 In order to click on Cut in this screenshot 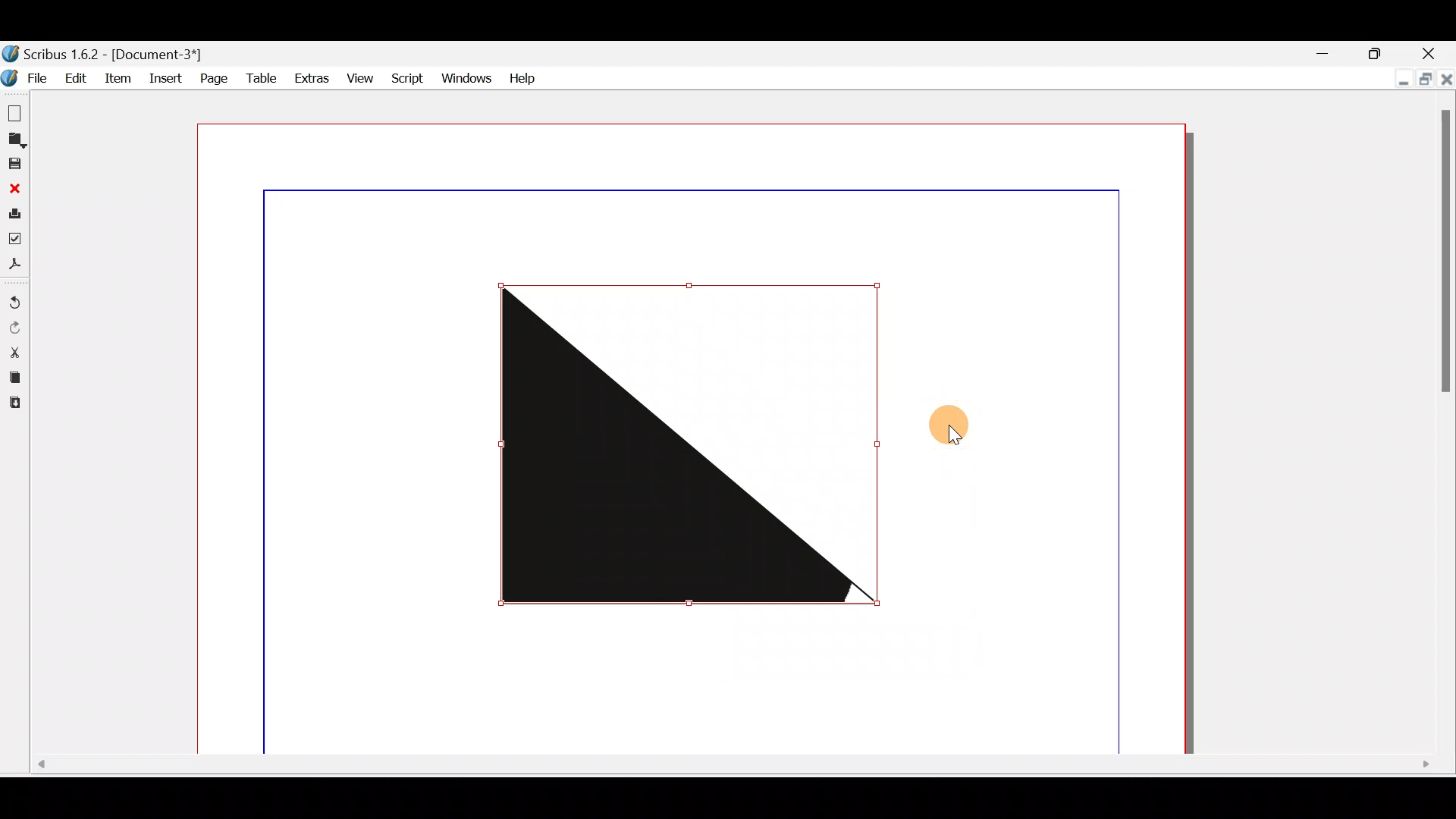, I will do `click(14, 351)`.